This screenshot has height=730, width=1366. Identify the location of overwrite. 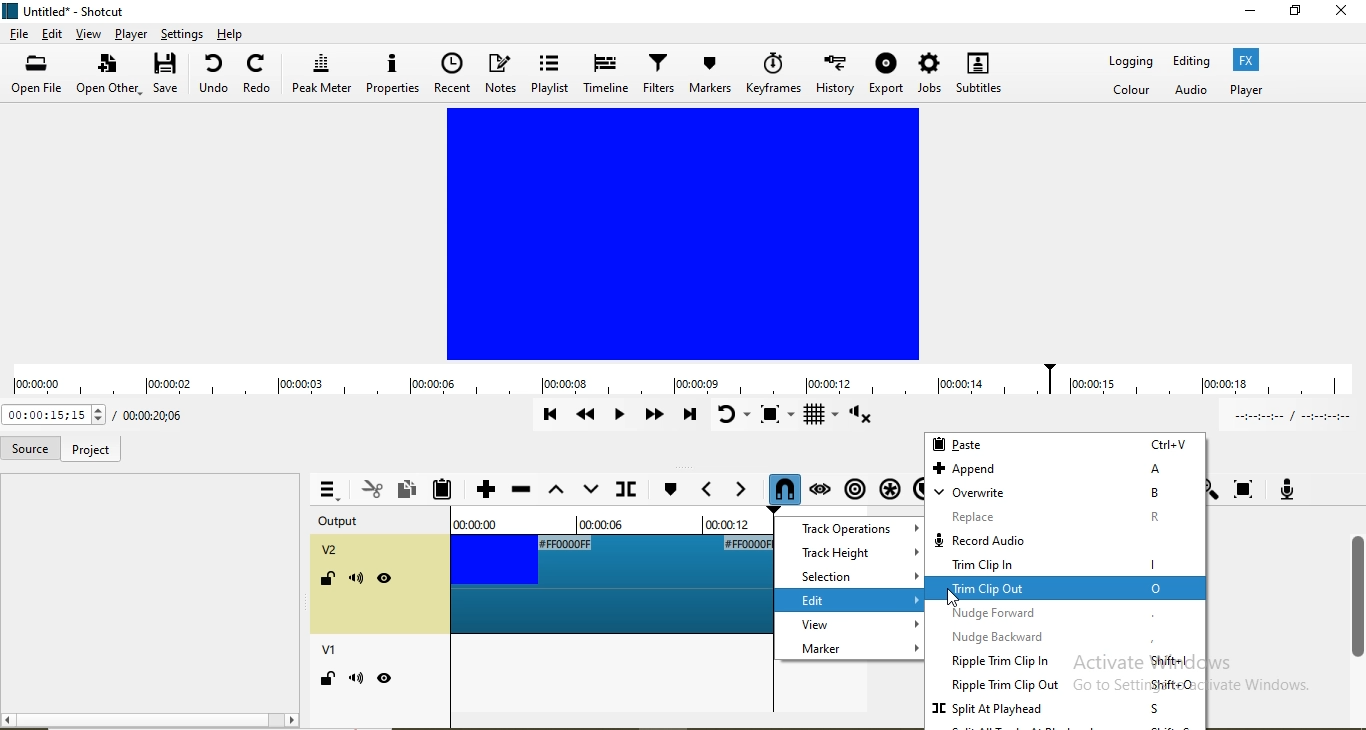
(1060, 493).